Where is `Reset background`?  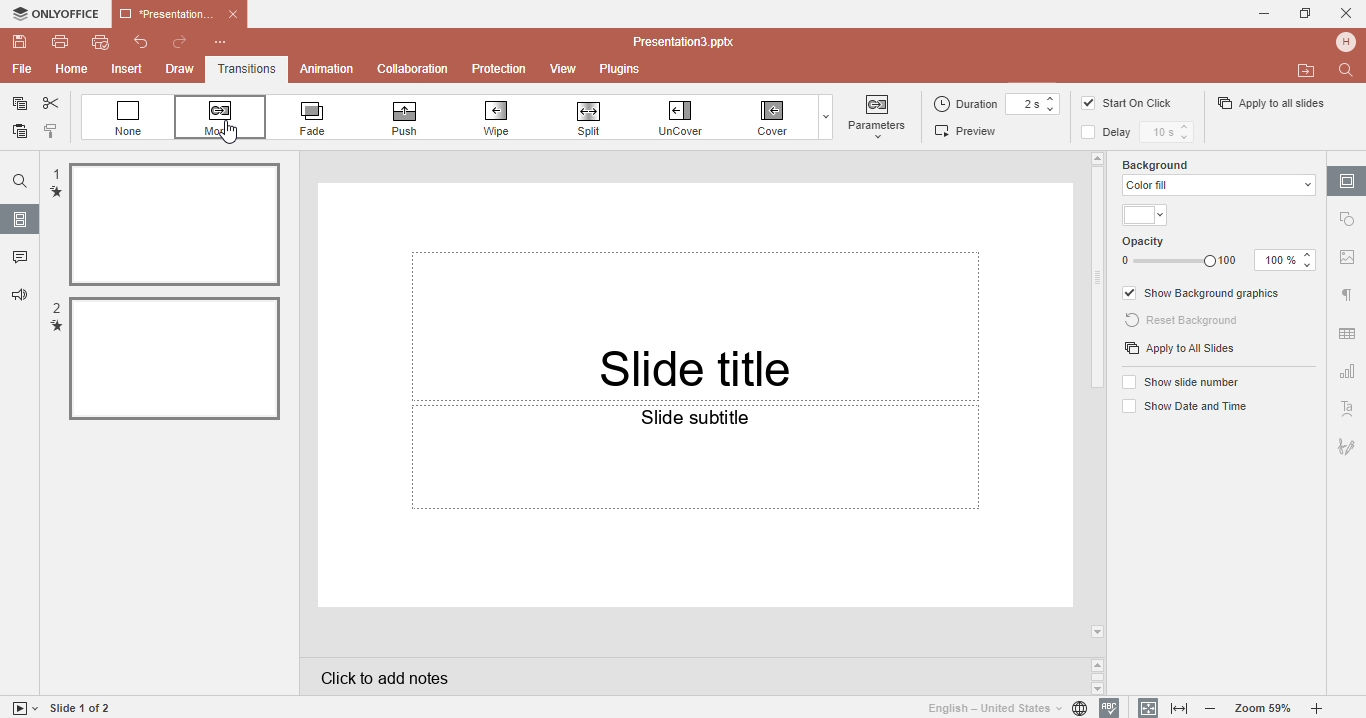 Reset background is located at coordinates (1185, 321).